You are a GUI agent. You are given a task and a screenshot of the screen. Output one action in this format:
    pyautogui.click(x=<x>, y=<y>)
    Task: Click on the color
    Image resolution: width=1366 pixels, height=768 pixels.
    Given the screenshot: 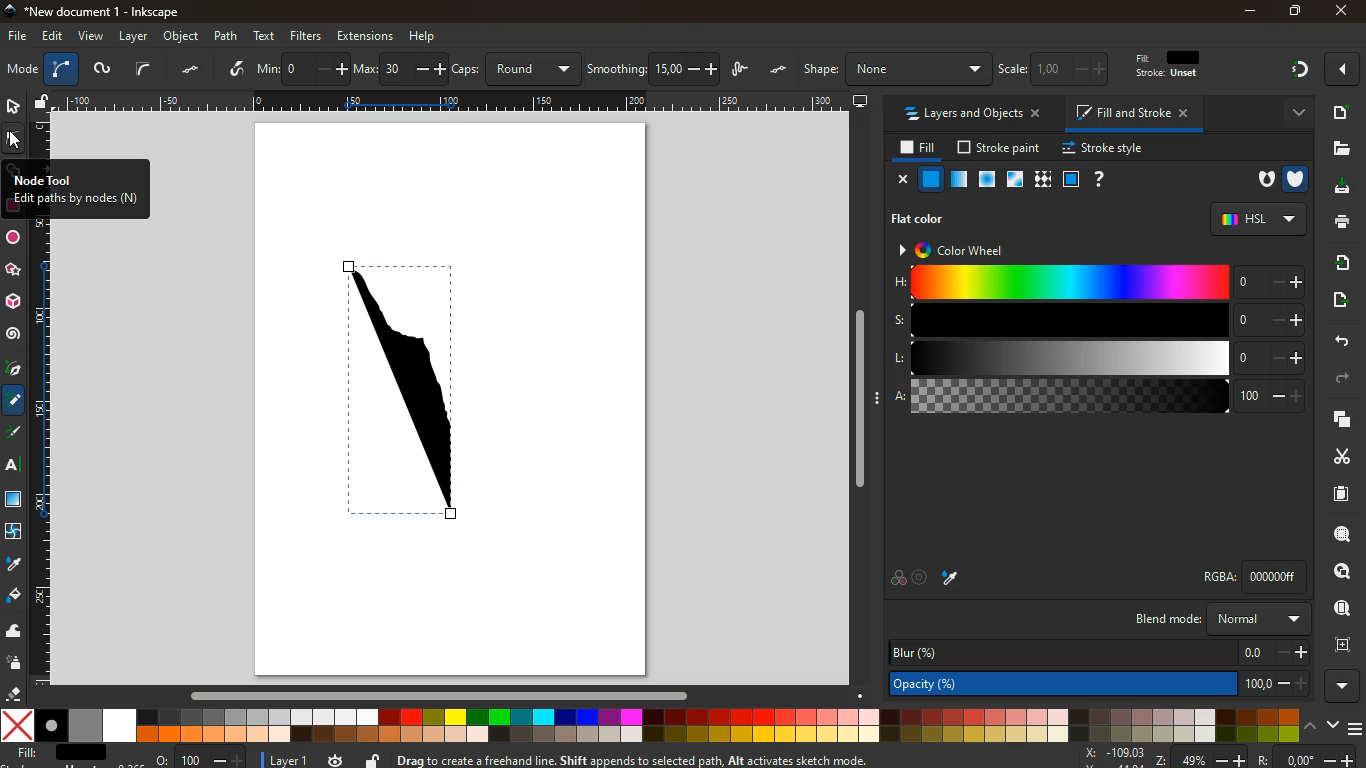 What is the action you would take?
    pyautogui.click(x=651, y=725)
    